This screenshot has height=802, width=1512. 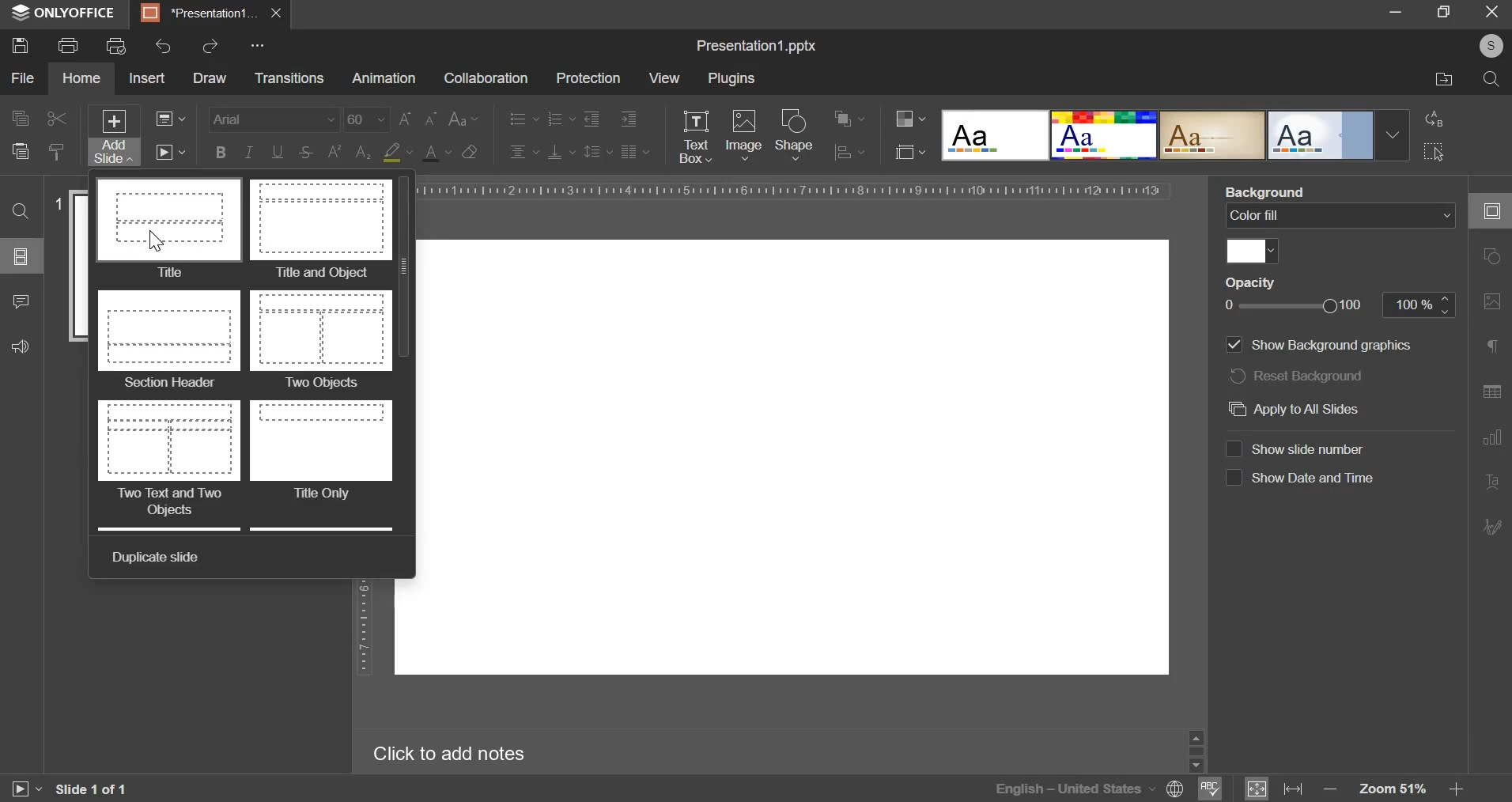 What do you see at coordinates (289, 79) in the screenshot?
I see `transitions` at bounding box center [289, 79].